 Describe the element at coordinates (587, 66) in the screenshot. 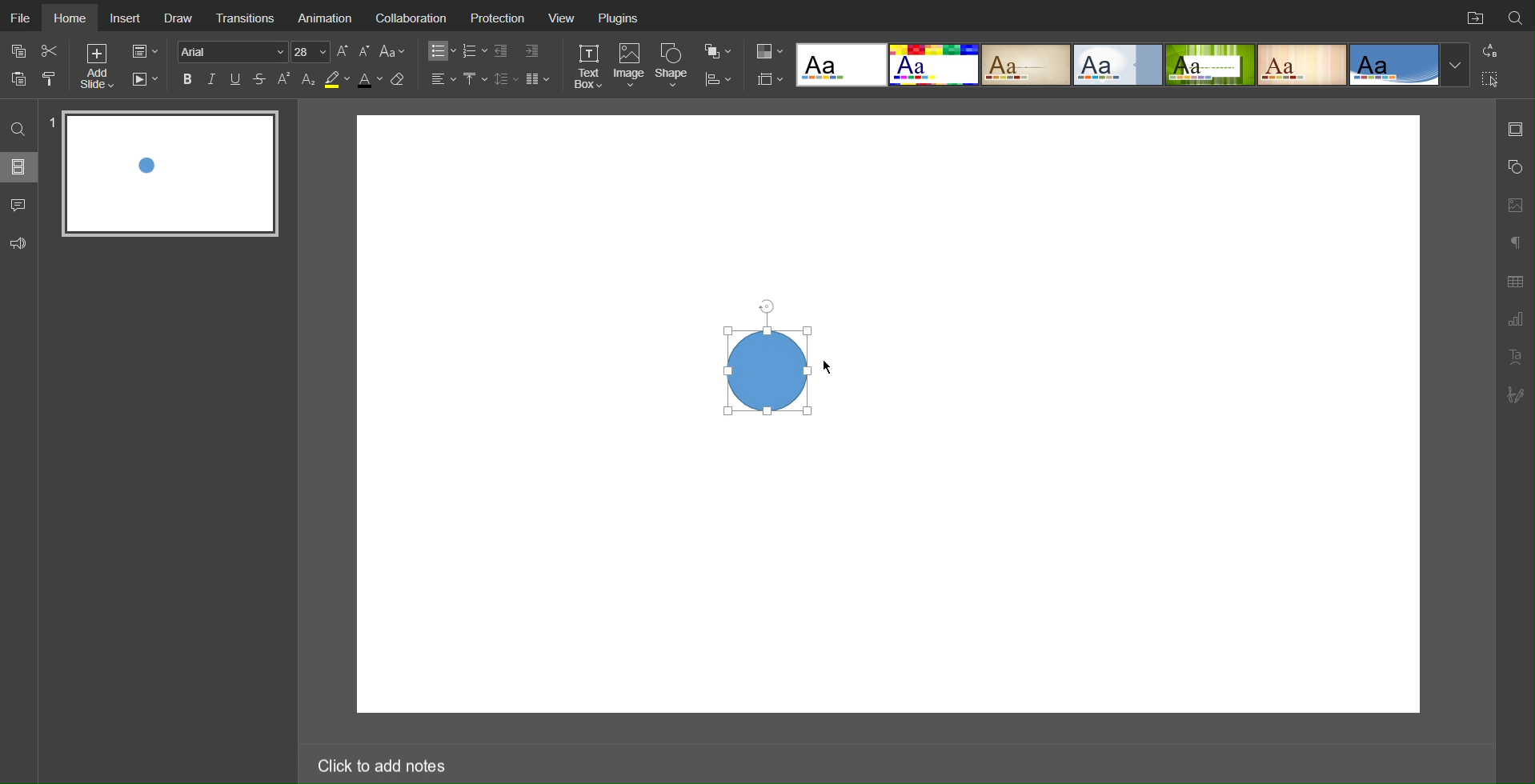

I see `Text Box` at that location.